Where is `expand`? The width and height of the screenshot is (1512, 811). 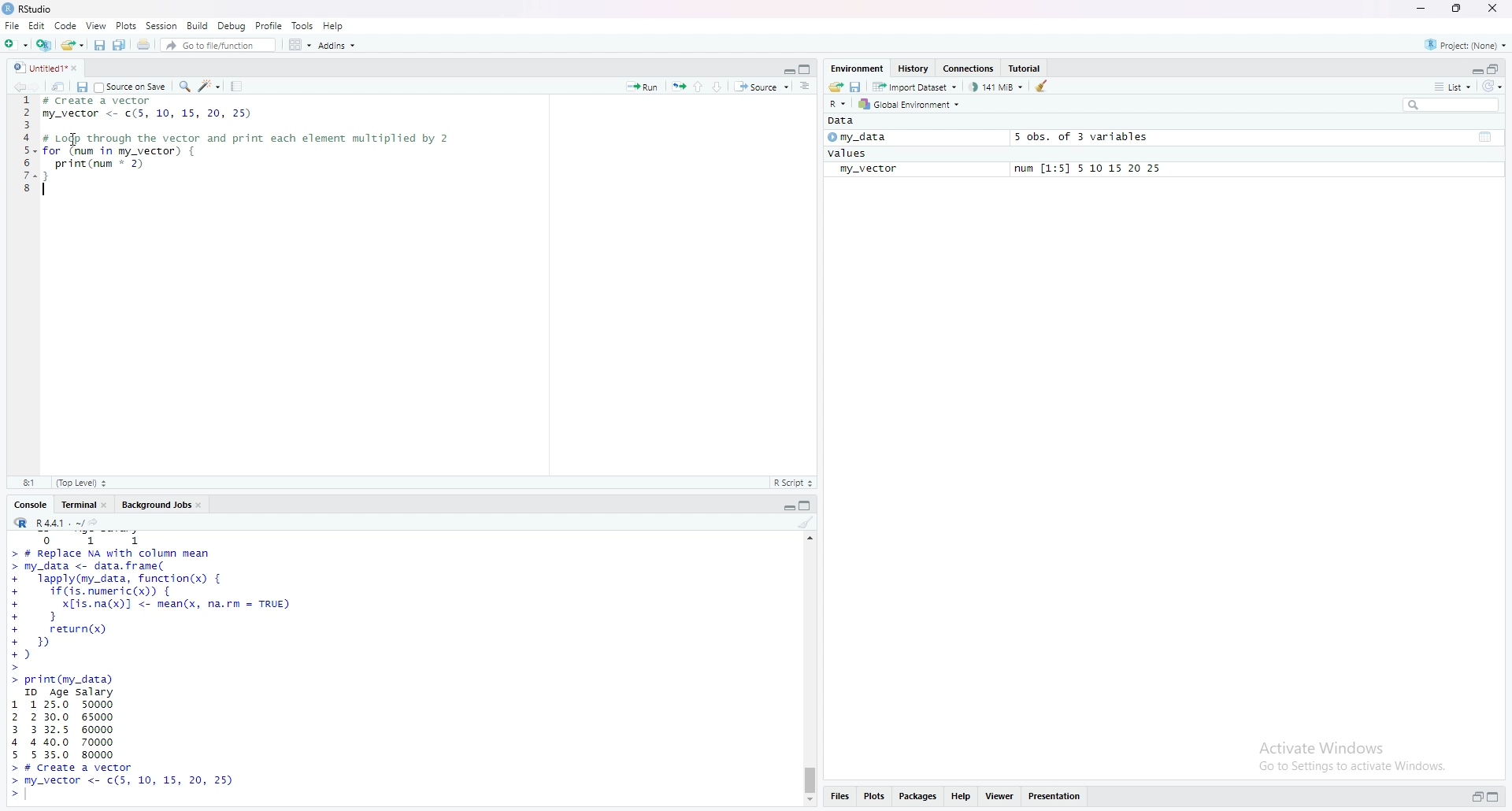 expand is located at coordinates (788, 507).